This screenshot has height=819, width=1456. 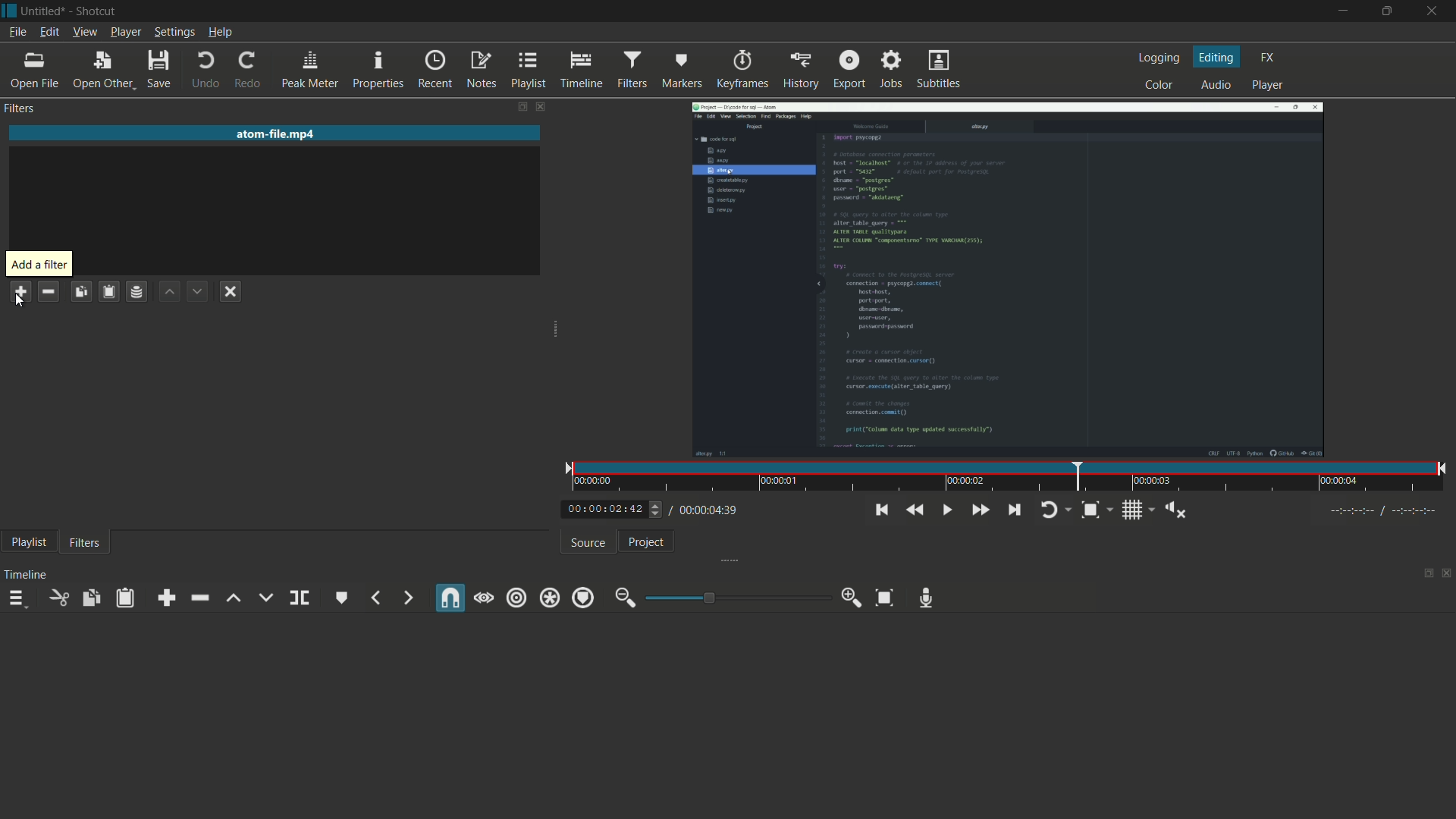 I want to click on zoom timeline to fit, so click(x=884, y=598).